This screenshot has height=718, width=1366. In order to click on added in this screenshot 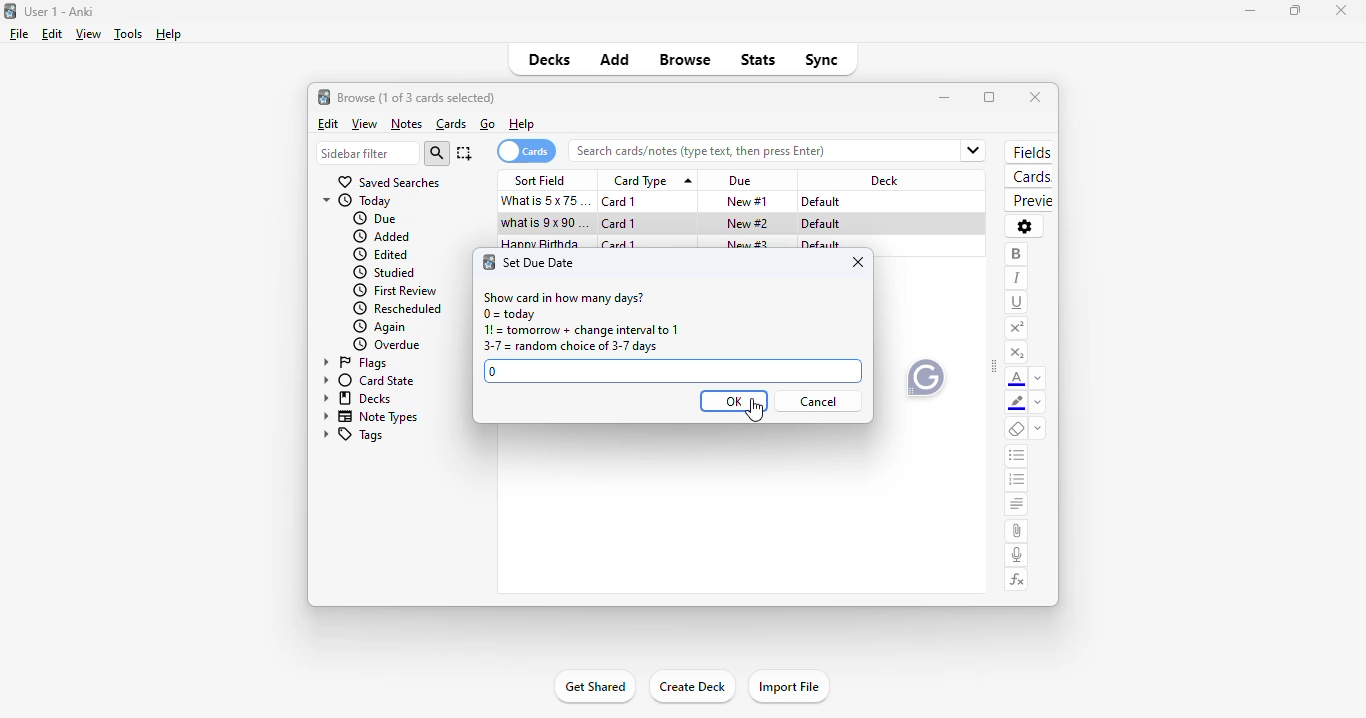, I will do `click(382, 236)`.